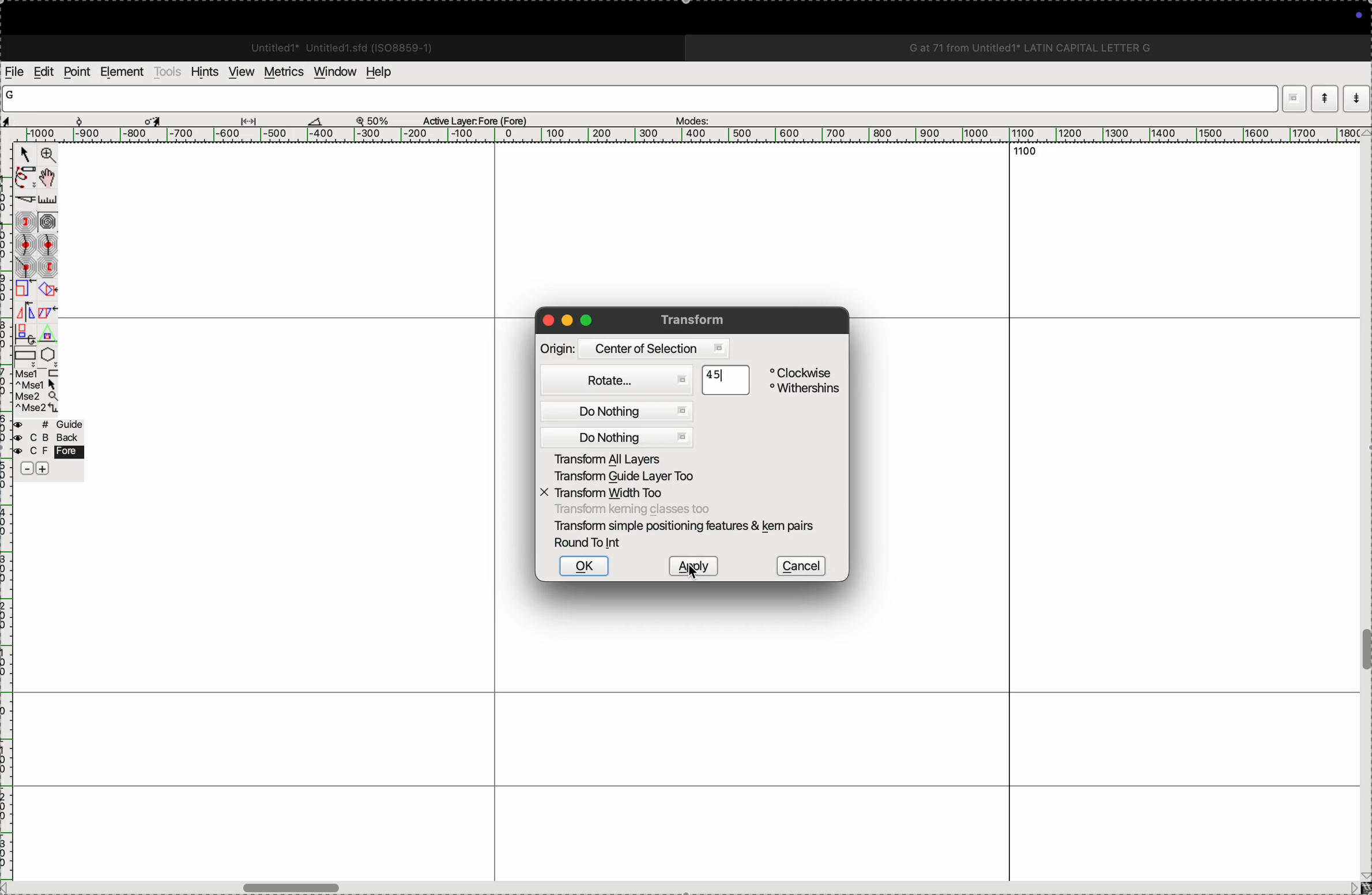  I want to click on Withershins, so click(805, 389).